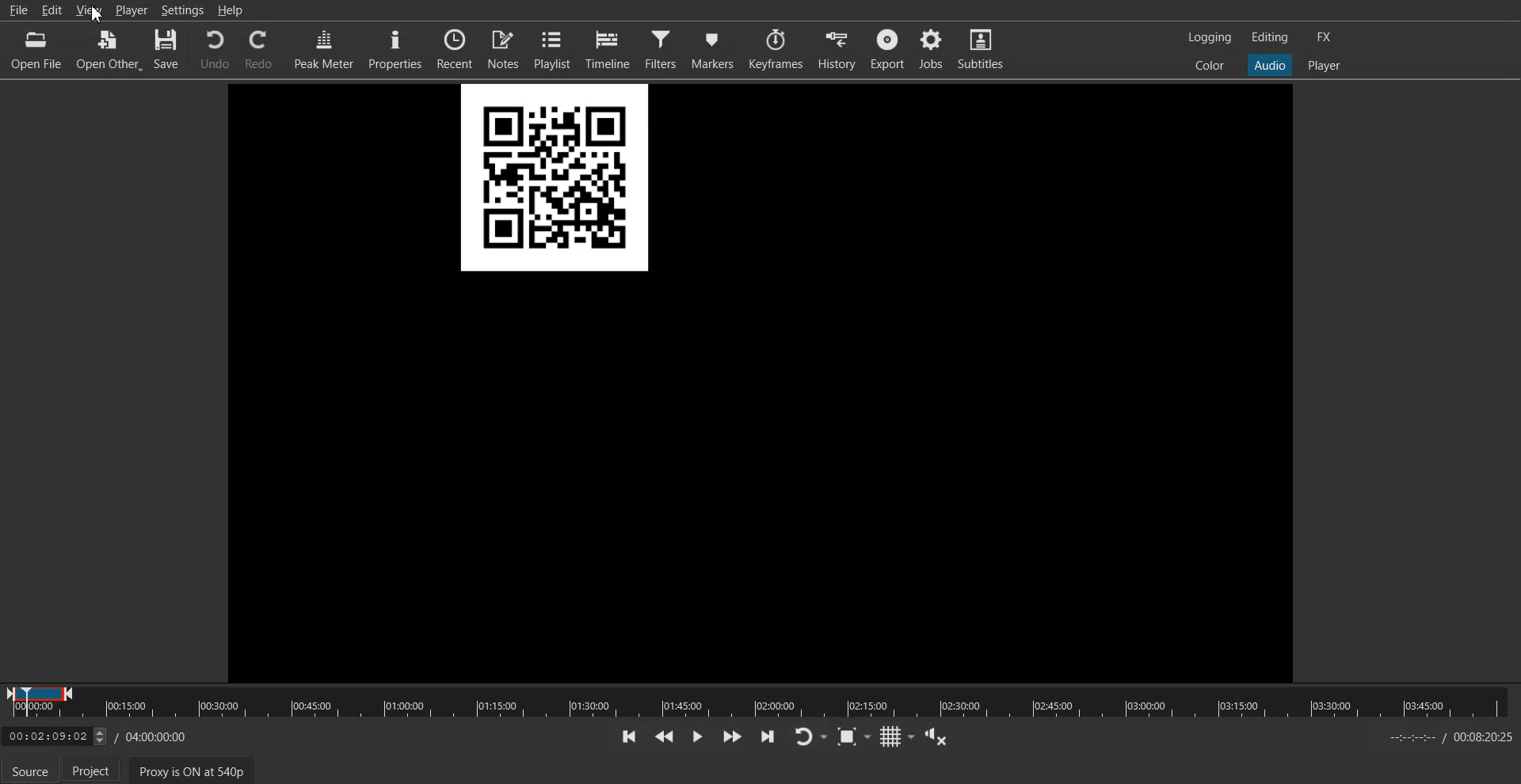  What do you see at coordinates (30, 770) in the screenshot?
I see `Source` at bounding box center [30, 770].